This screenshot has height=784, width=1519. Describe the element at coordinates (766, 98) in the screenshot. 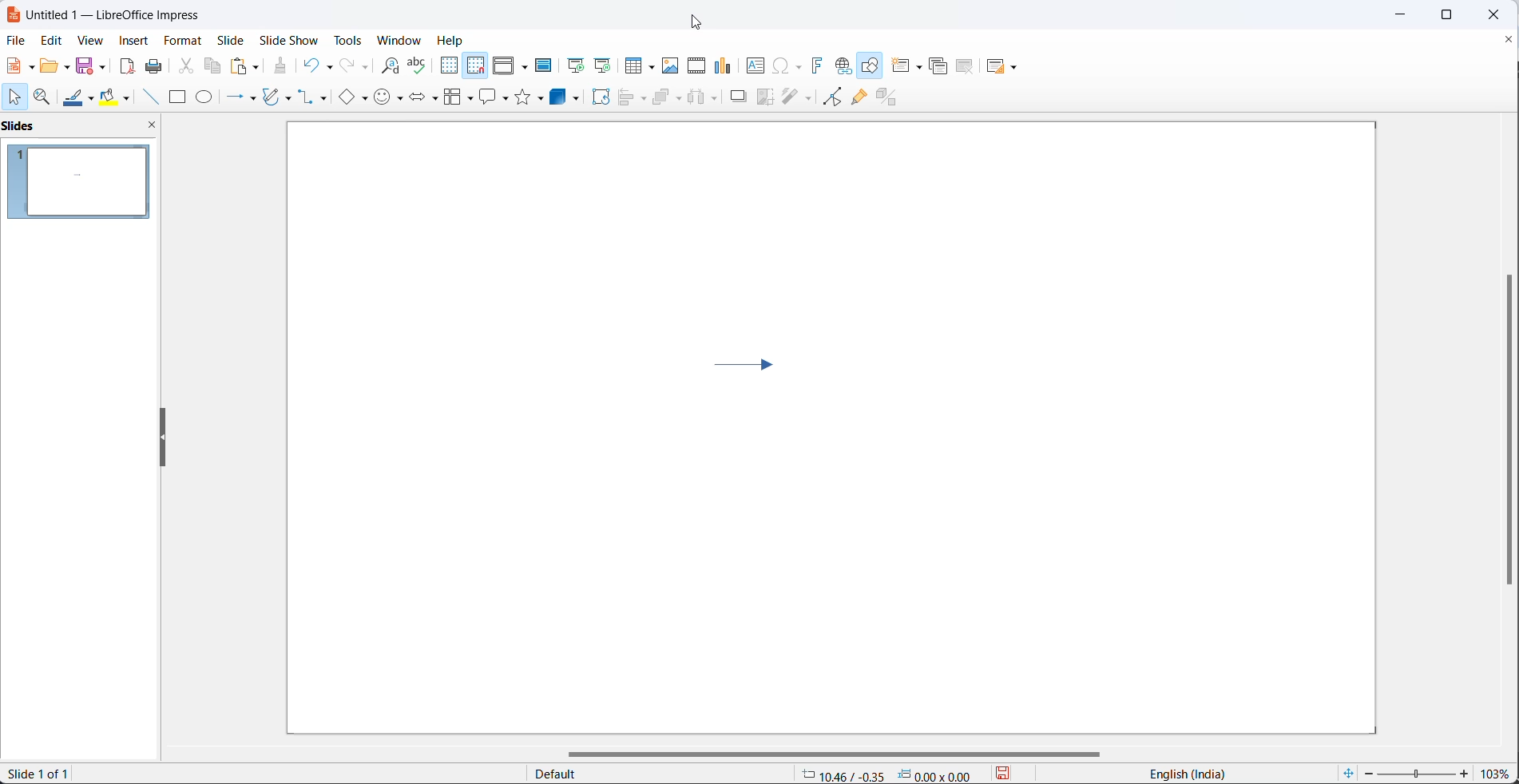

I see `crop image` at that location.